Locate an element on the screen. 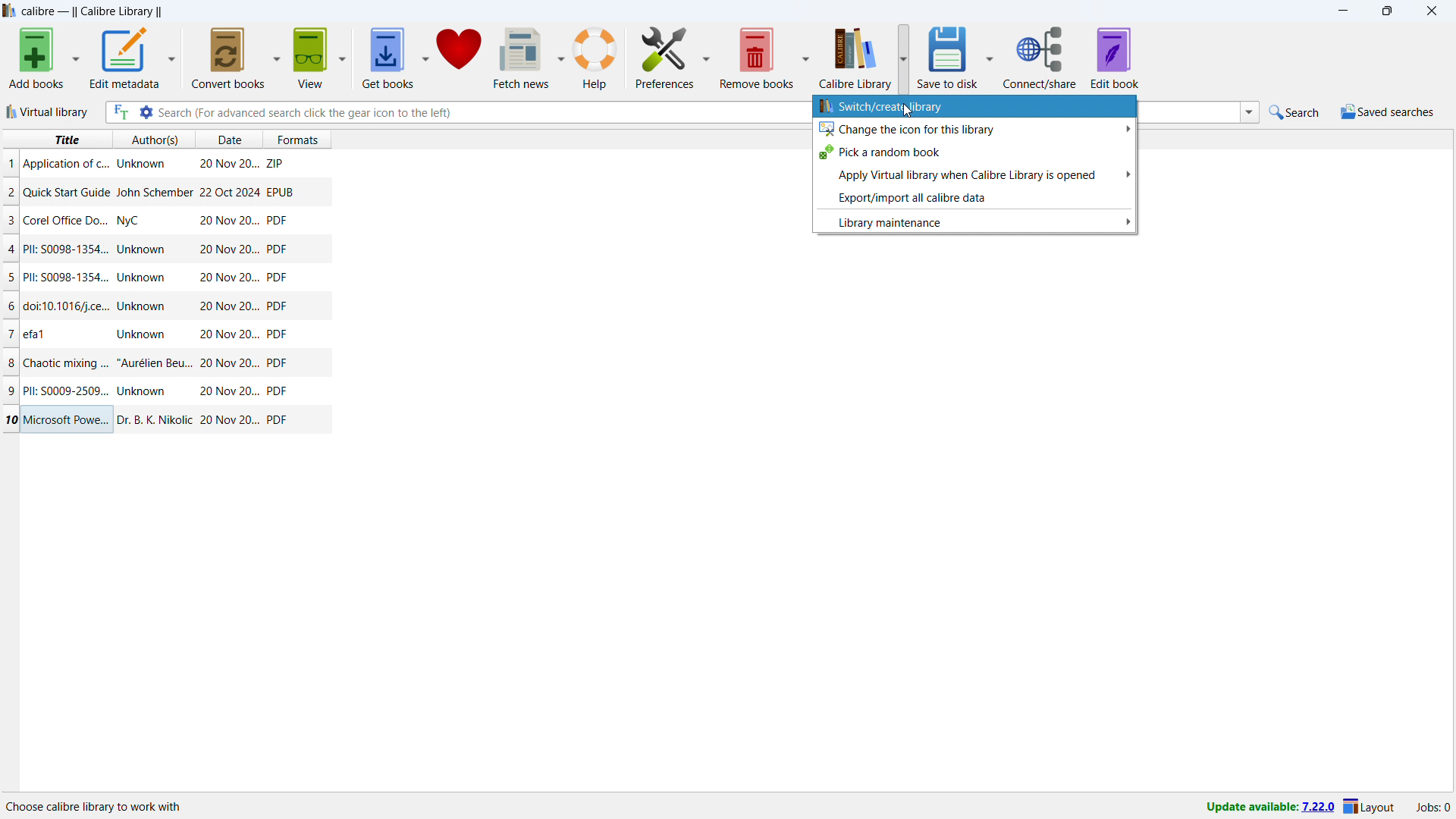 The width and height of the screenshot is (1456, 819). get books is located at coordinates (387, 58).